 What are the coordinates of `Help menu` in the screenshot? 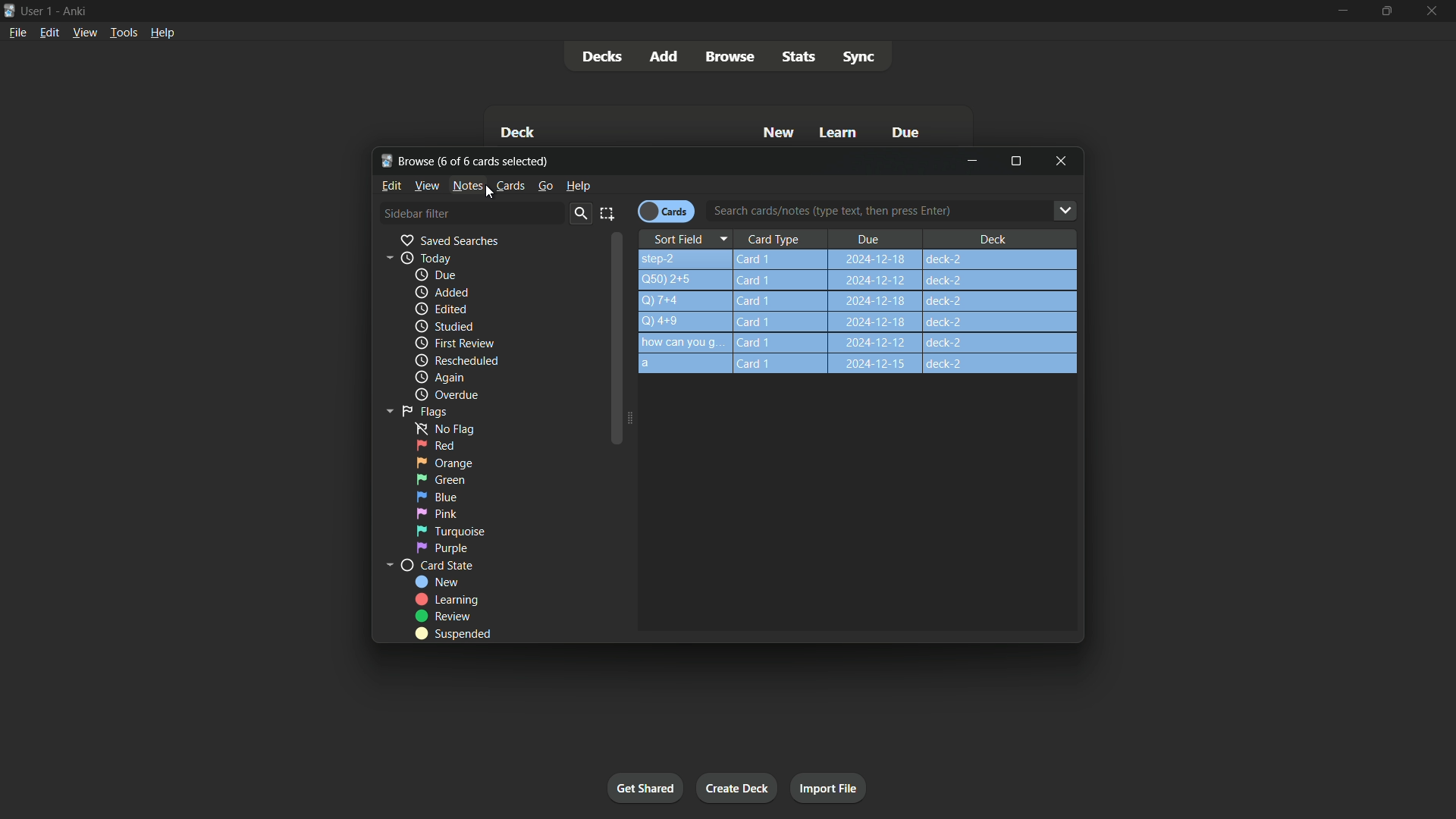 It's located at (165, 33).